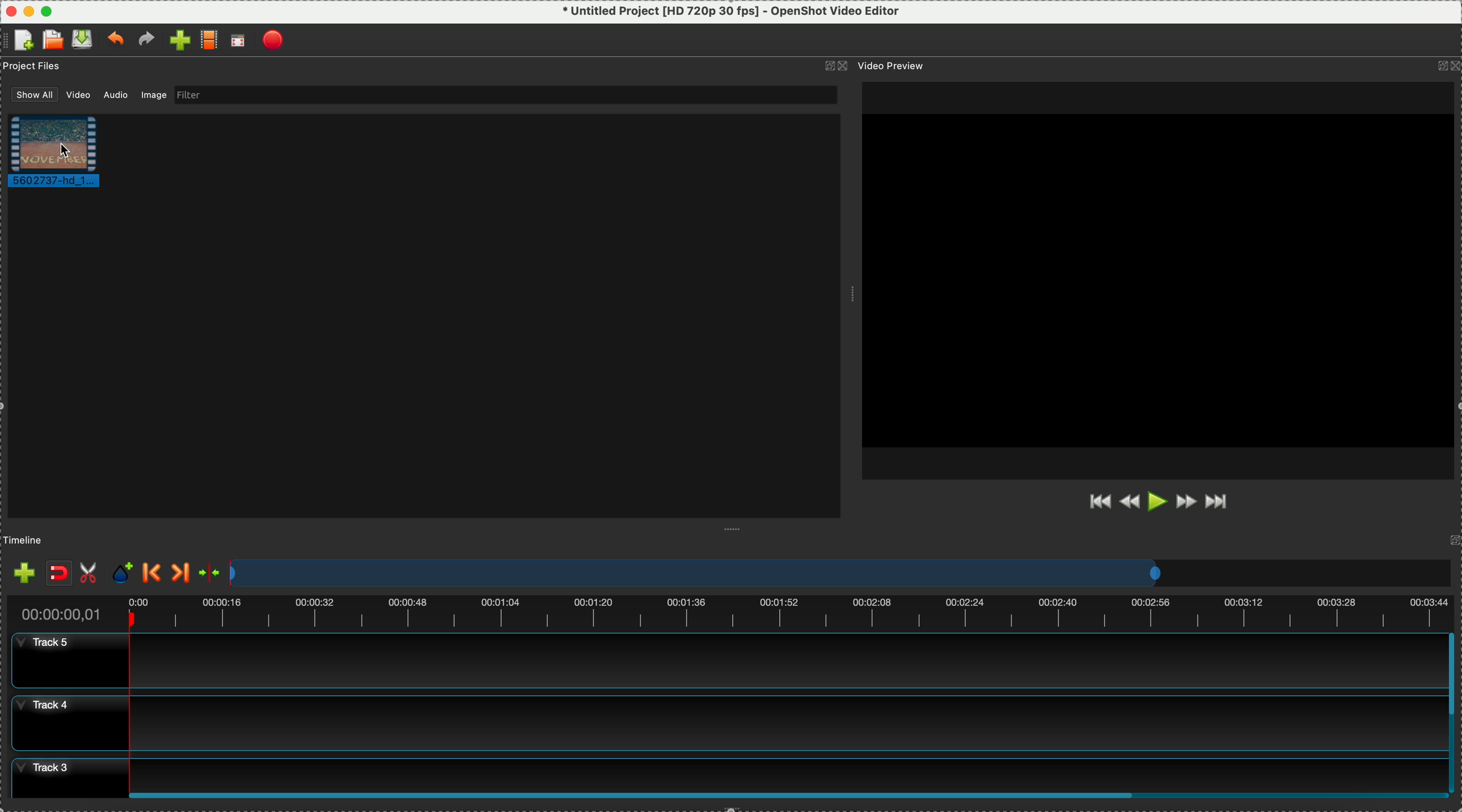 This screenshot has width=1462, height=812. Describe the element at coordinates (839, 573) in the screenshot. I see `timeline` at that location.